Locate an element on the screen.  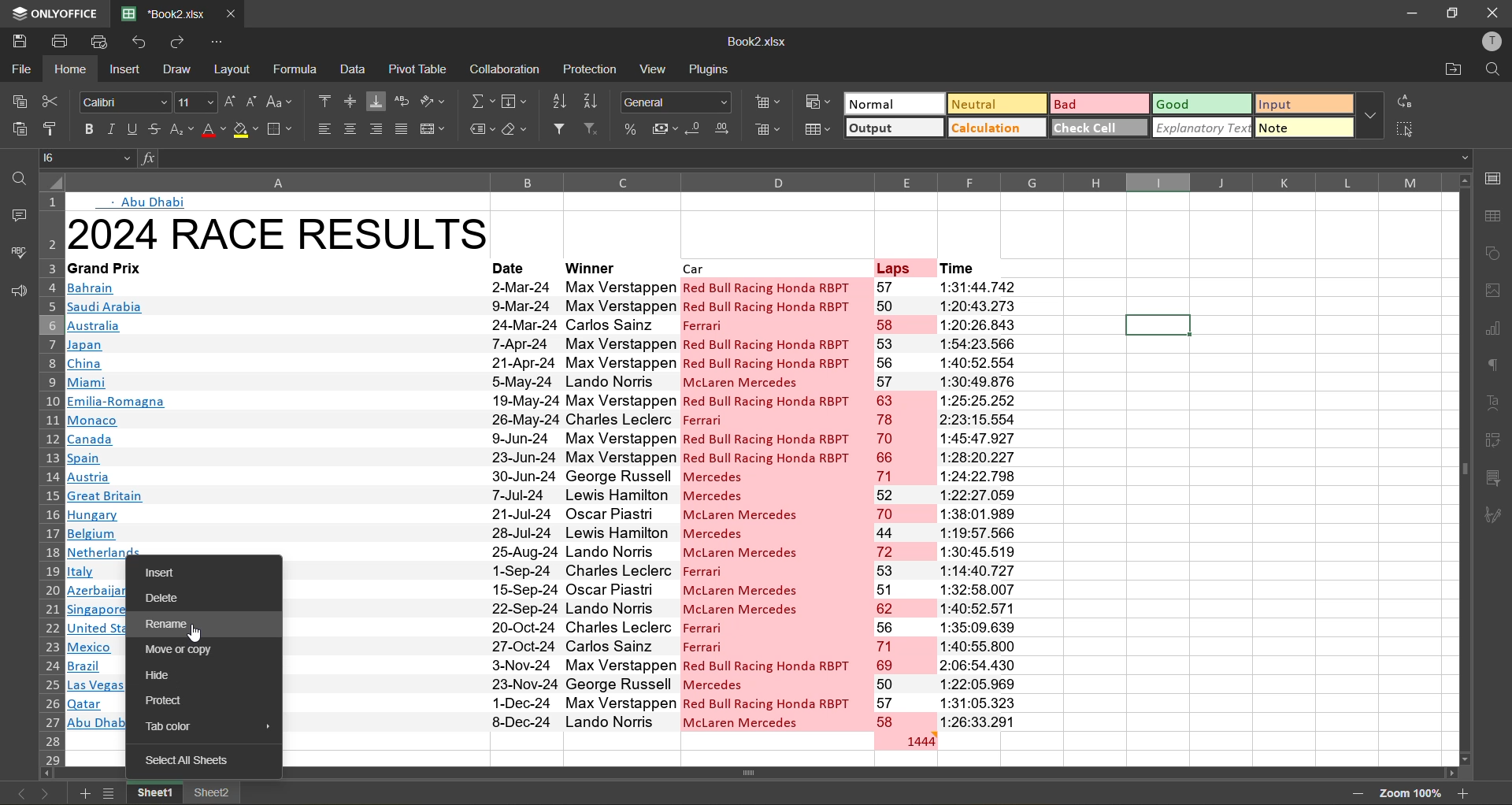
view is located at coordinates (652, 71).